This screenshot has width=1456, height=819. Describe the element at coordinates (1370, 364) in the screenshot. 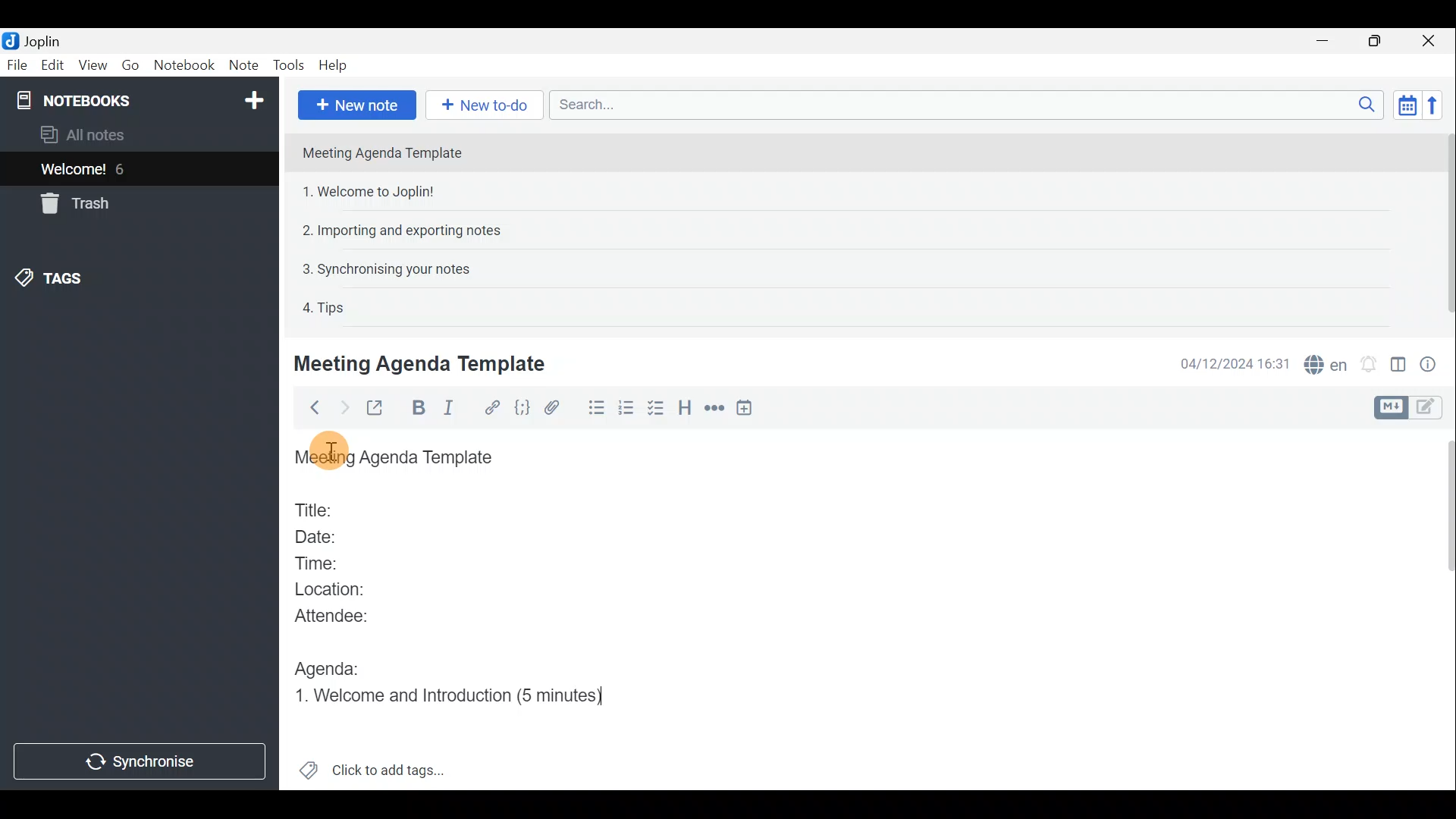

I see `Set alarm` at that location.